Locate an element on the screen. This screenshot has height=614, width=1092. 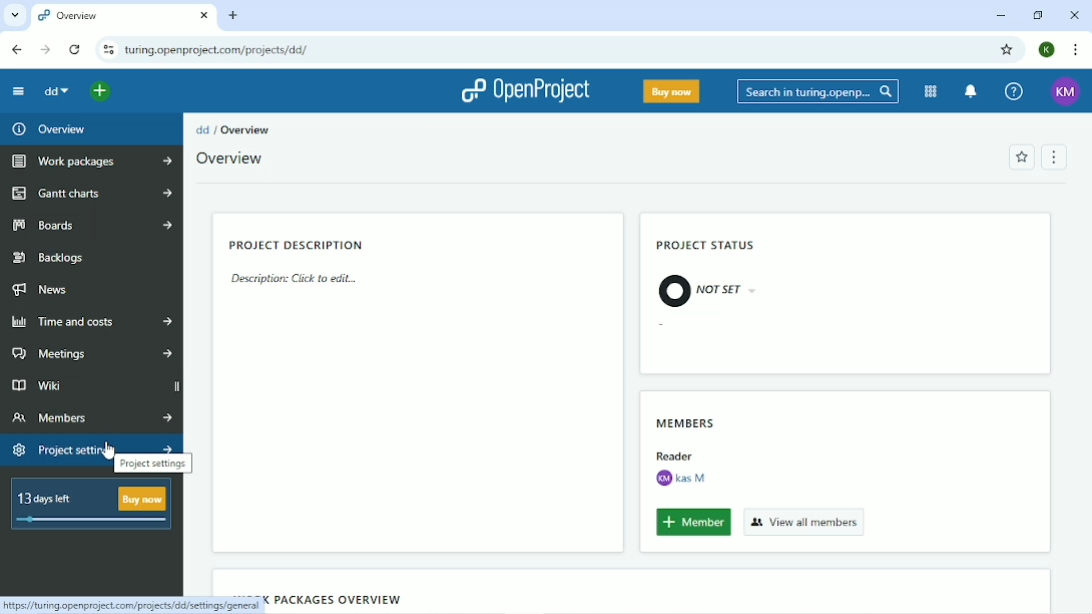
K is located at coordinates (1047, 50).